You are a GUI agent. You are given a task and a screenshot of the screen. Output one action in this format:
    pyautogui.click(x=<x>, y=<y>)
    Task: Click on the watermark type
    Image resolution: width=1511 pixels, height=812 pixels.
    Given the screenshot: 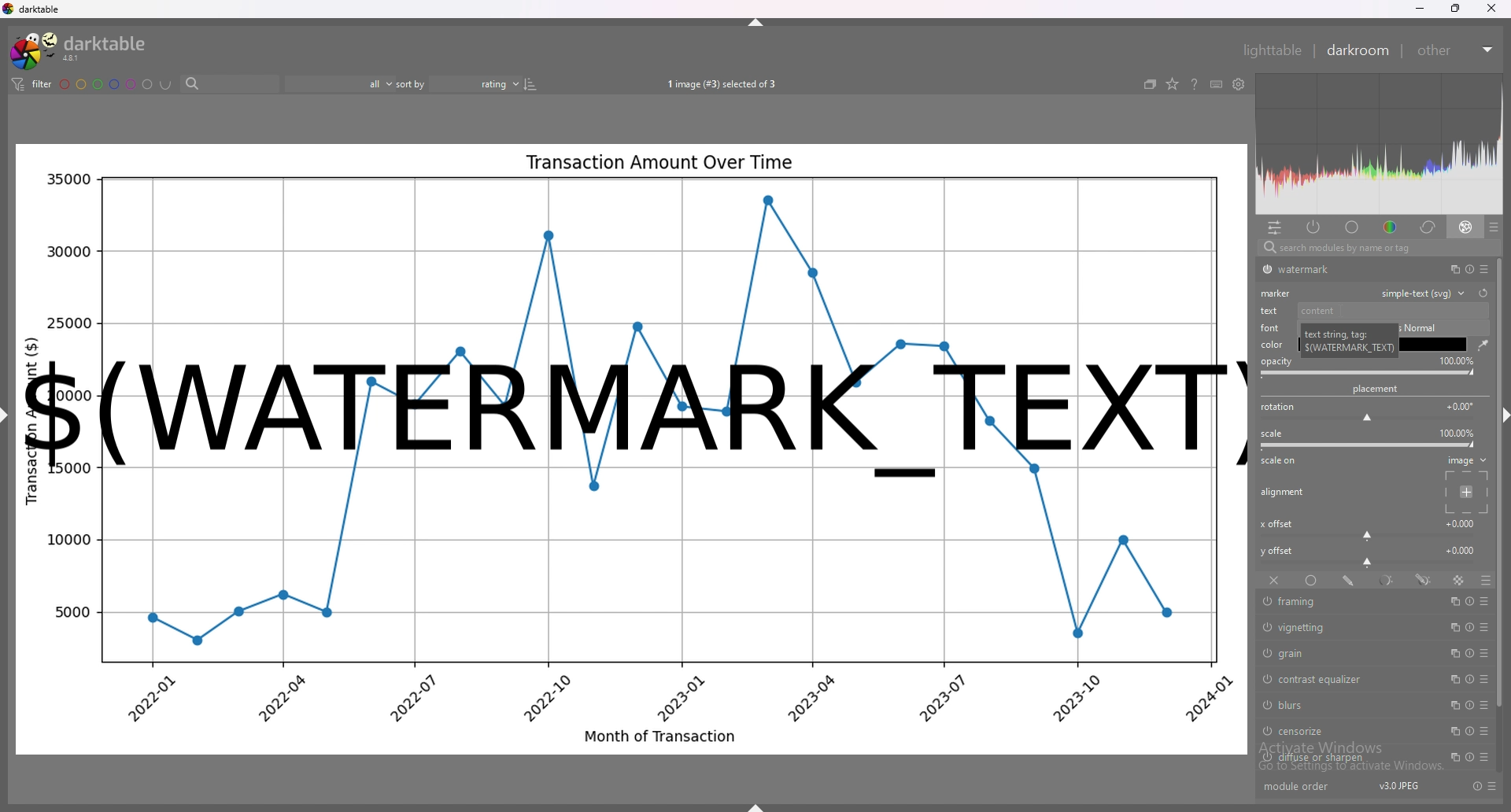 What is the action you would take?
    pyautogui.click(x=1428, y=293)
    